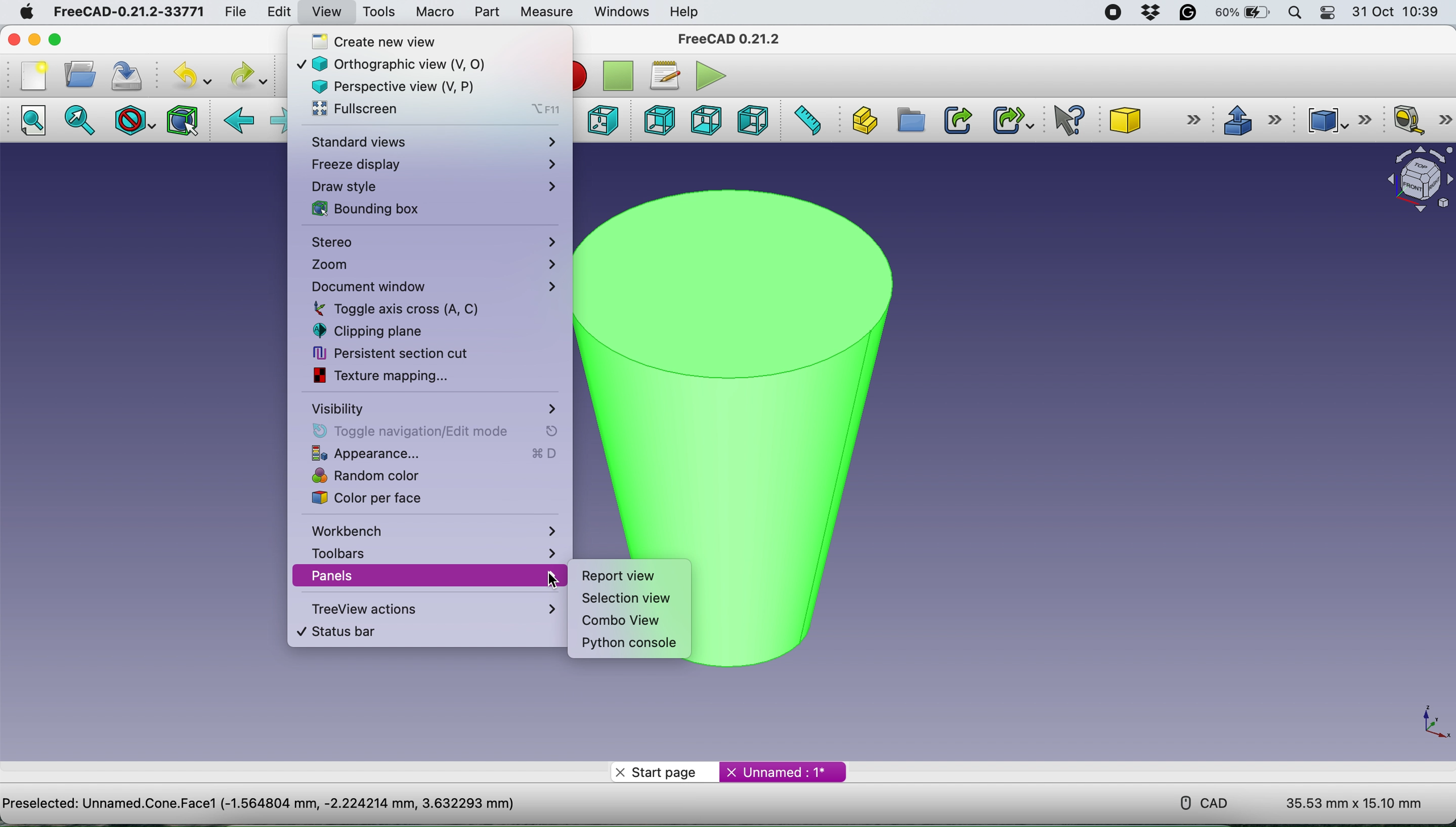  I want to click on system logo, so click(19, 11).